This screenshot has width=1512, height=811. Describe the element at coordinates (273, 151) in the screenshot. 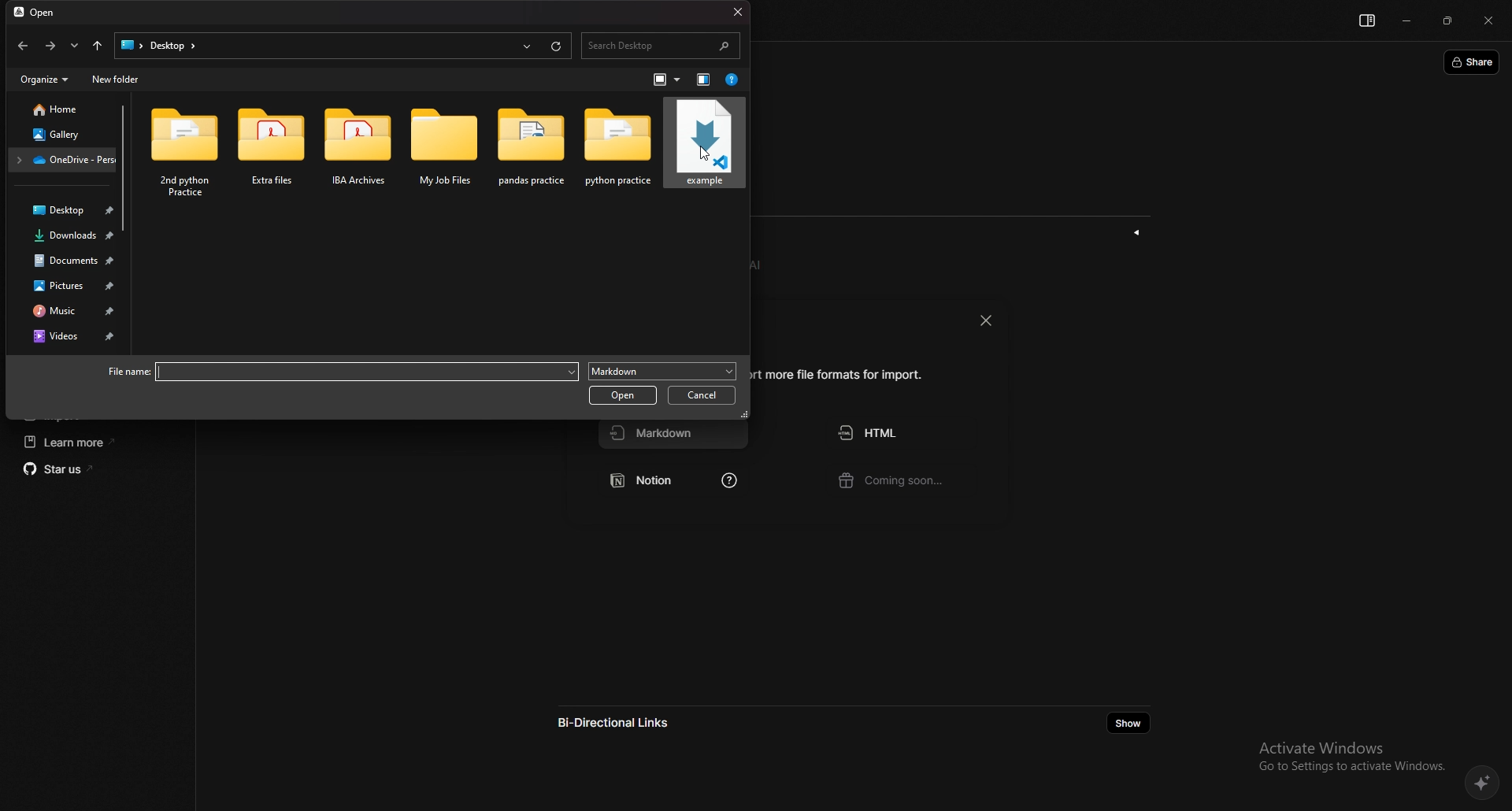

I see `folder` at that location.